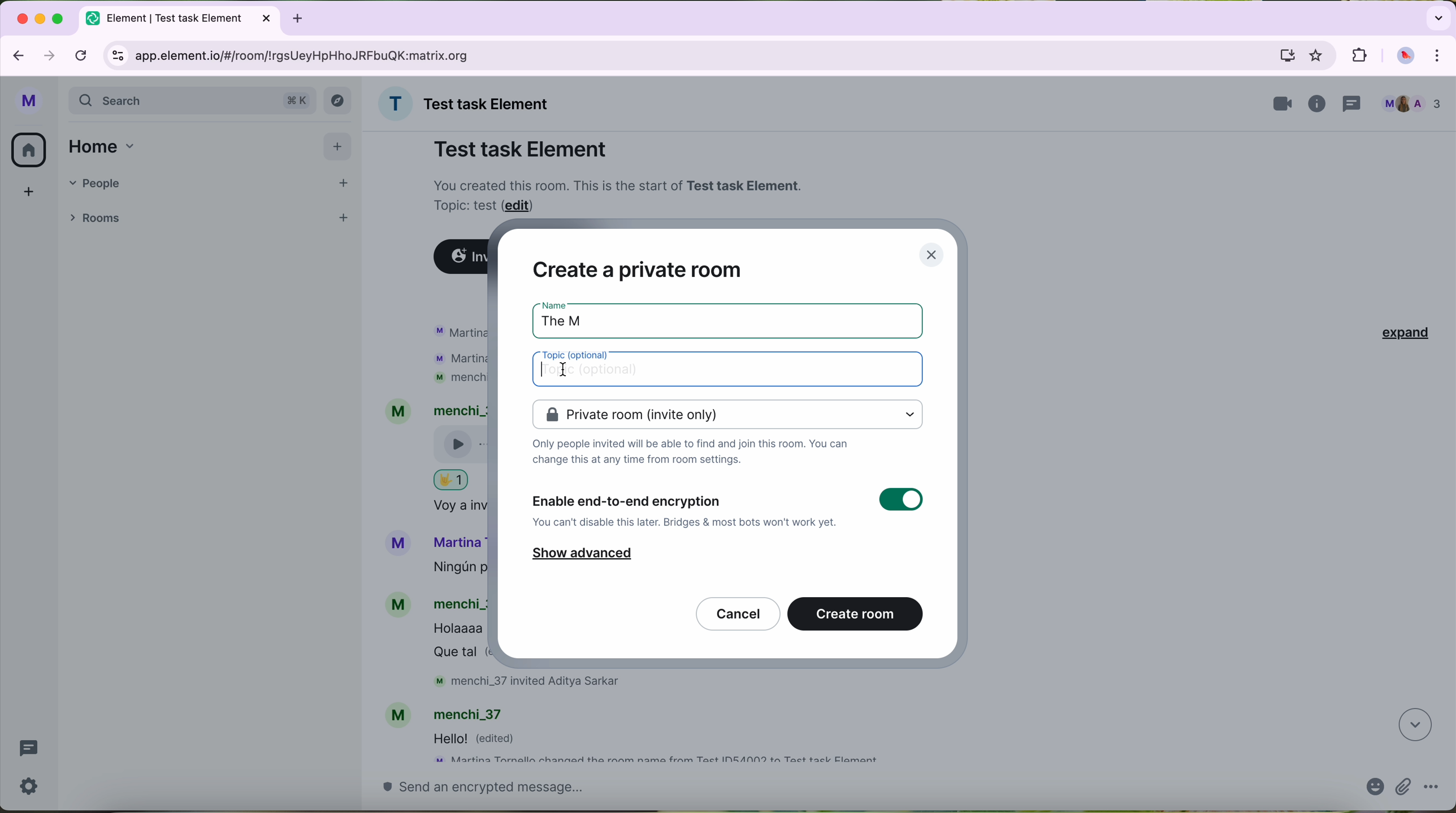 This screenshot has width=1456, height=813. What do you see at coordinates (686, 510) in the screenshot?
I see `enable end-to-end encryption` at bounding box center [686, 510].